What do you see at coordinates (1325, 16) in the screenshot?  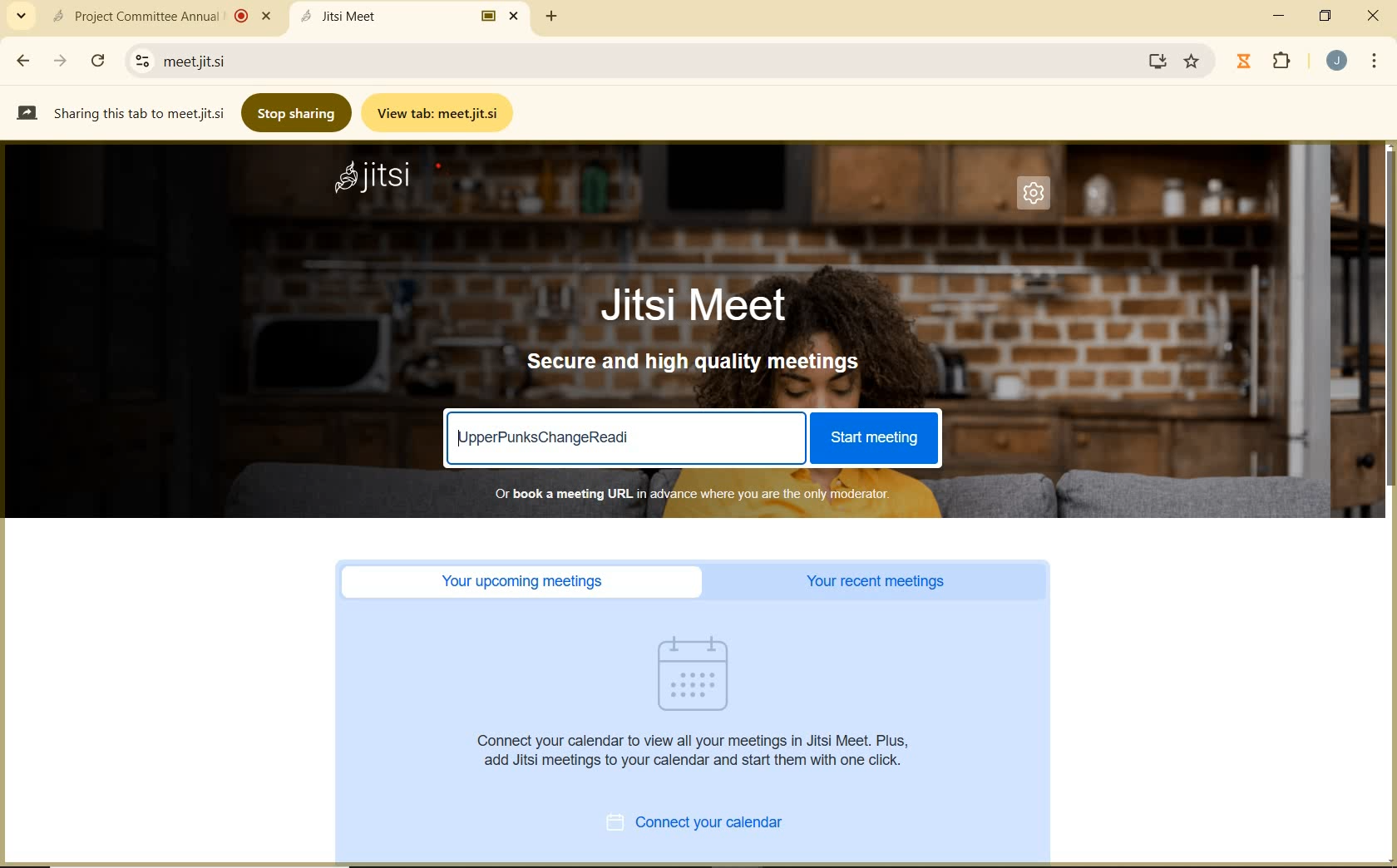 I see `RESTORE DOWN` at bounding box center [1325, 16].